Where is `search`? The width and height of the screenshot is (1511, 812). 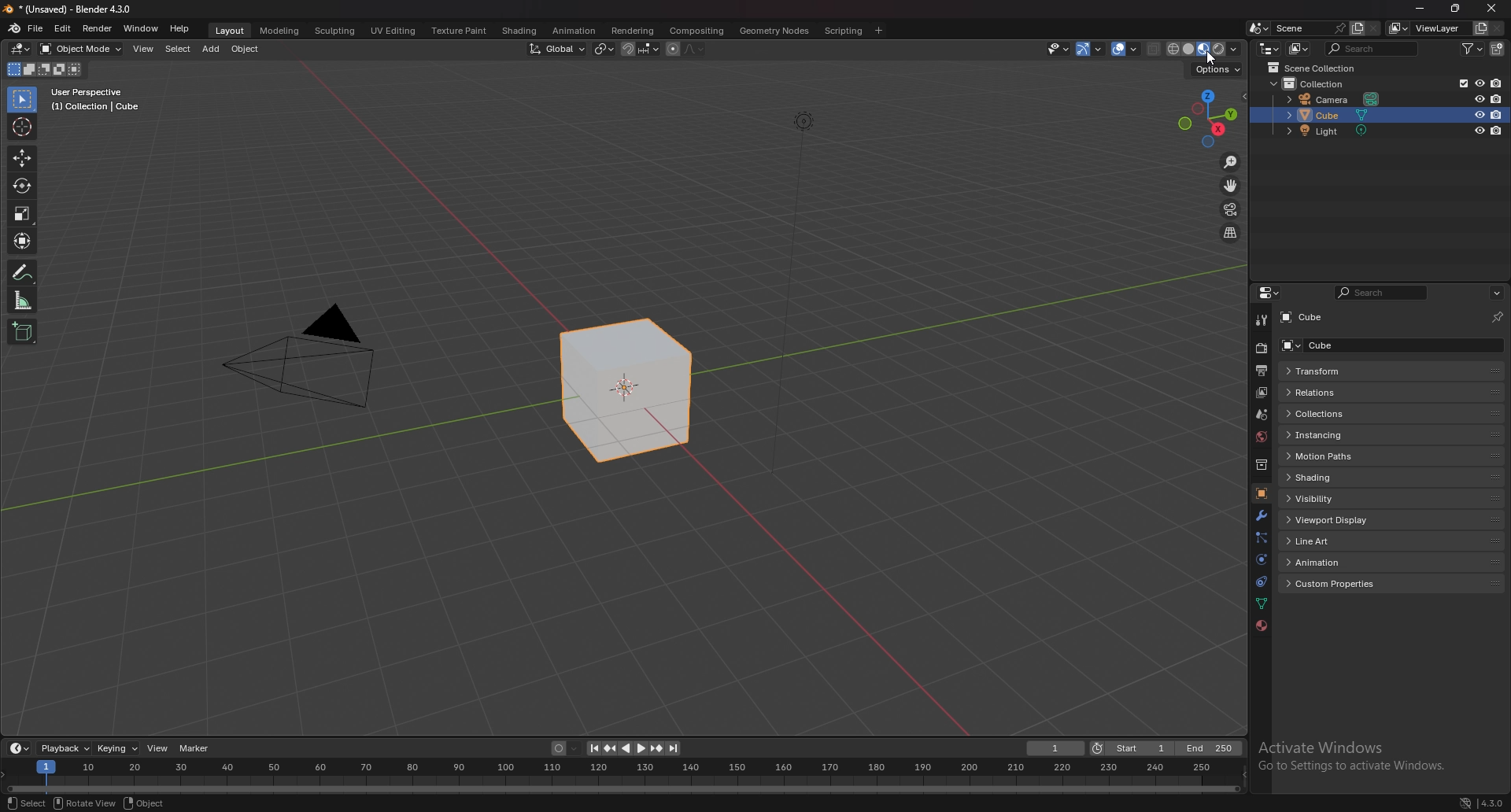
search is located at coordinates (1383, 293).